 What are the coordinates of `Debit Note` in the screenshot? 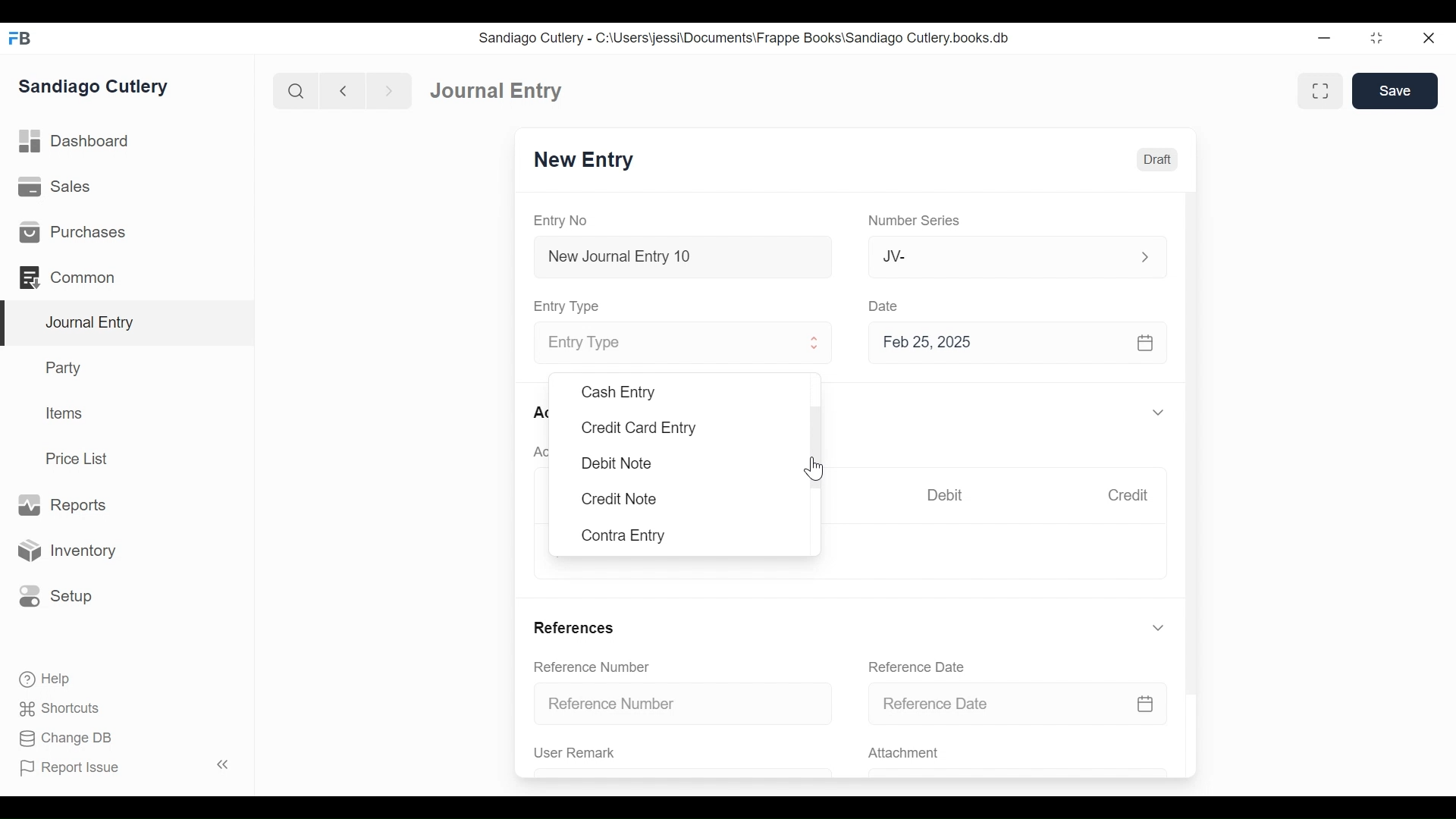 It's located at (616, 462).